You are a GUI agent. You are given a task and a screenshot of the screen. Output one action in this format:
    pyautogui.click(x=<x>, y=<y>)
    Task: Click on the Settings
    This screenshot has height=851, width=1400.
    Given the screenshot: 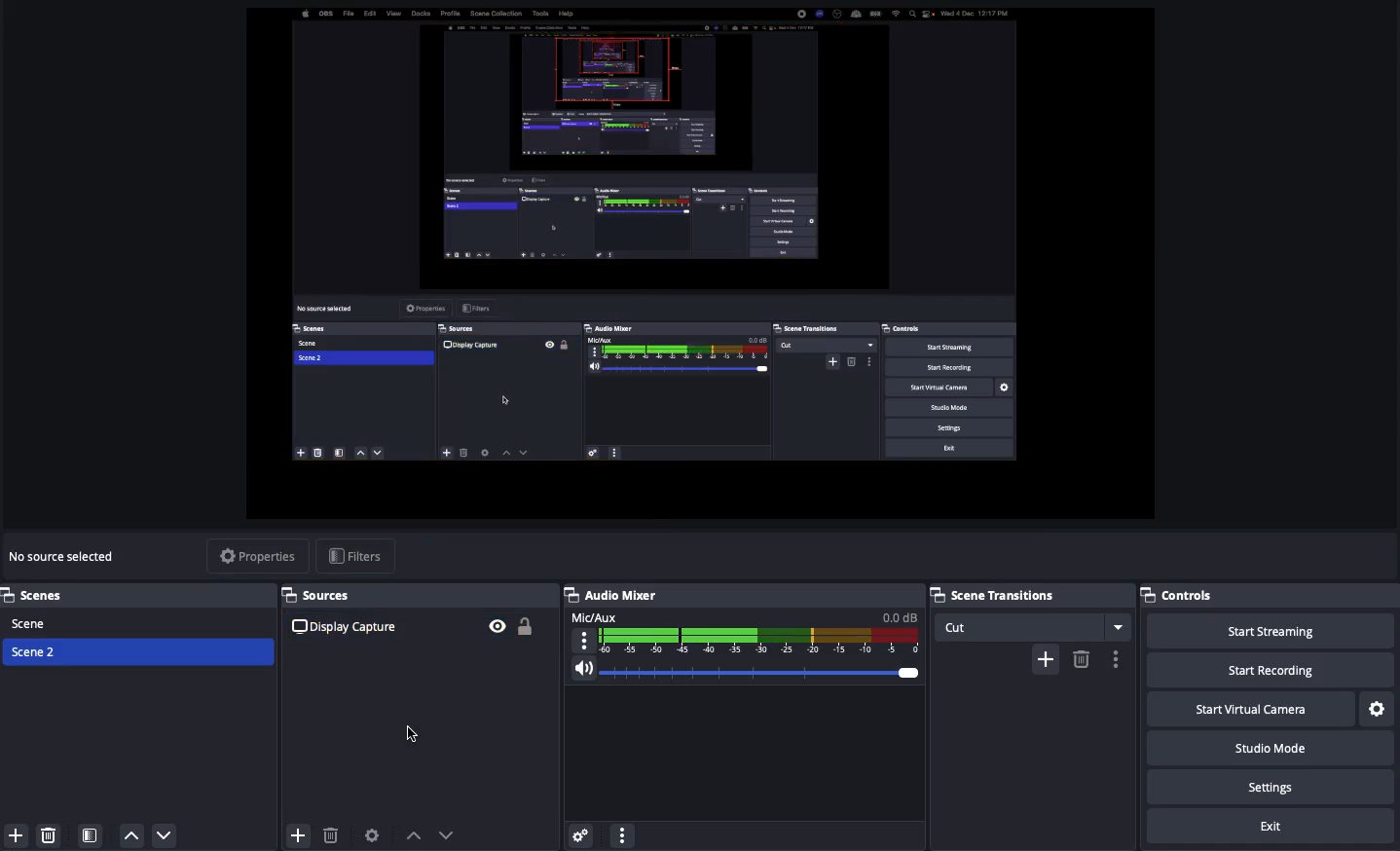 What is the action you would take?
    pyautogui.click(x=1376, y=706)
    